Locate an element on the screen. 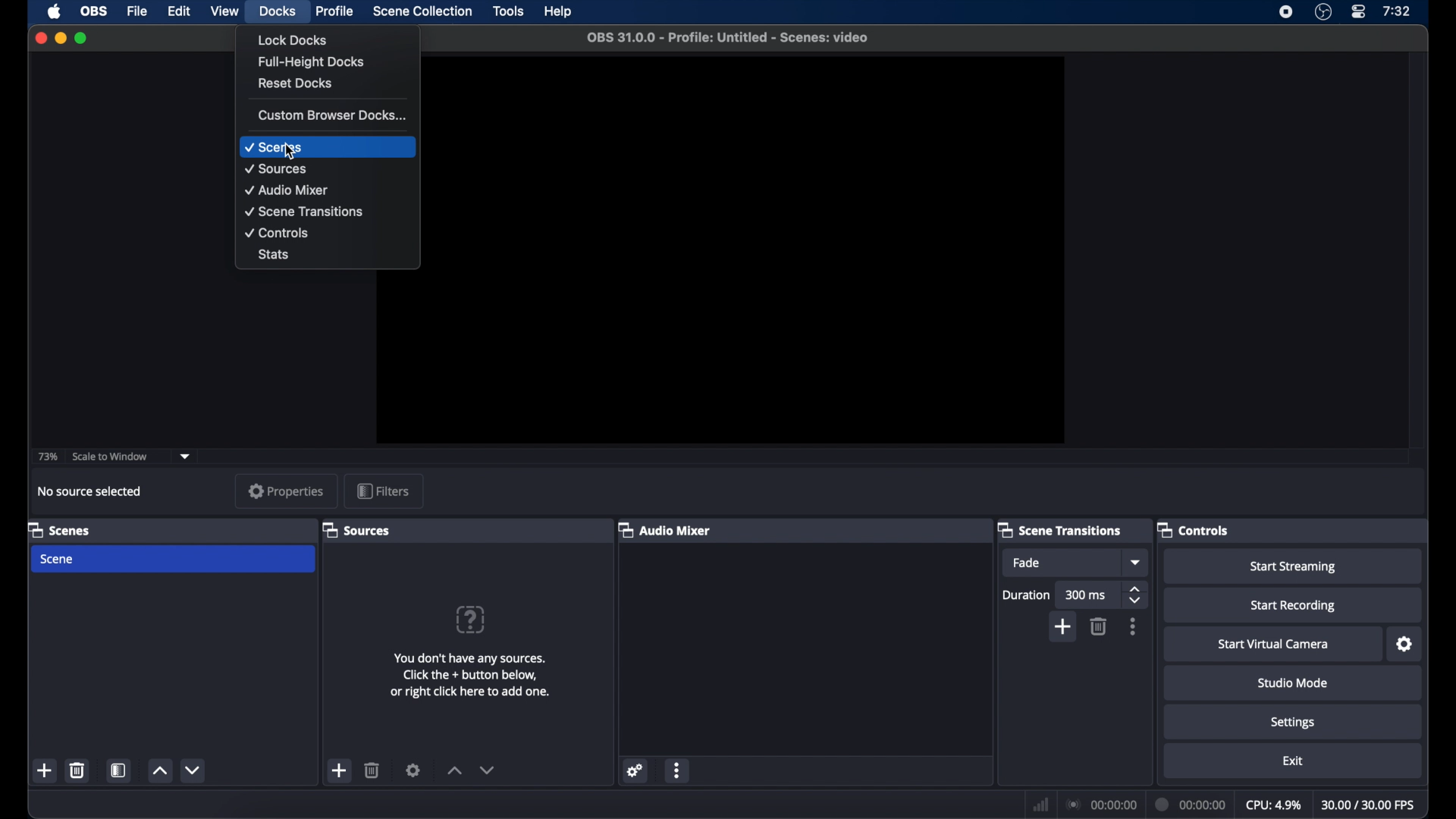 This screenshot has height=819, width=1456. filters is located at coordinates (383, 491).